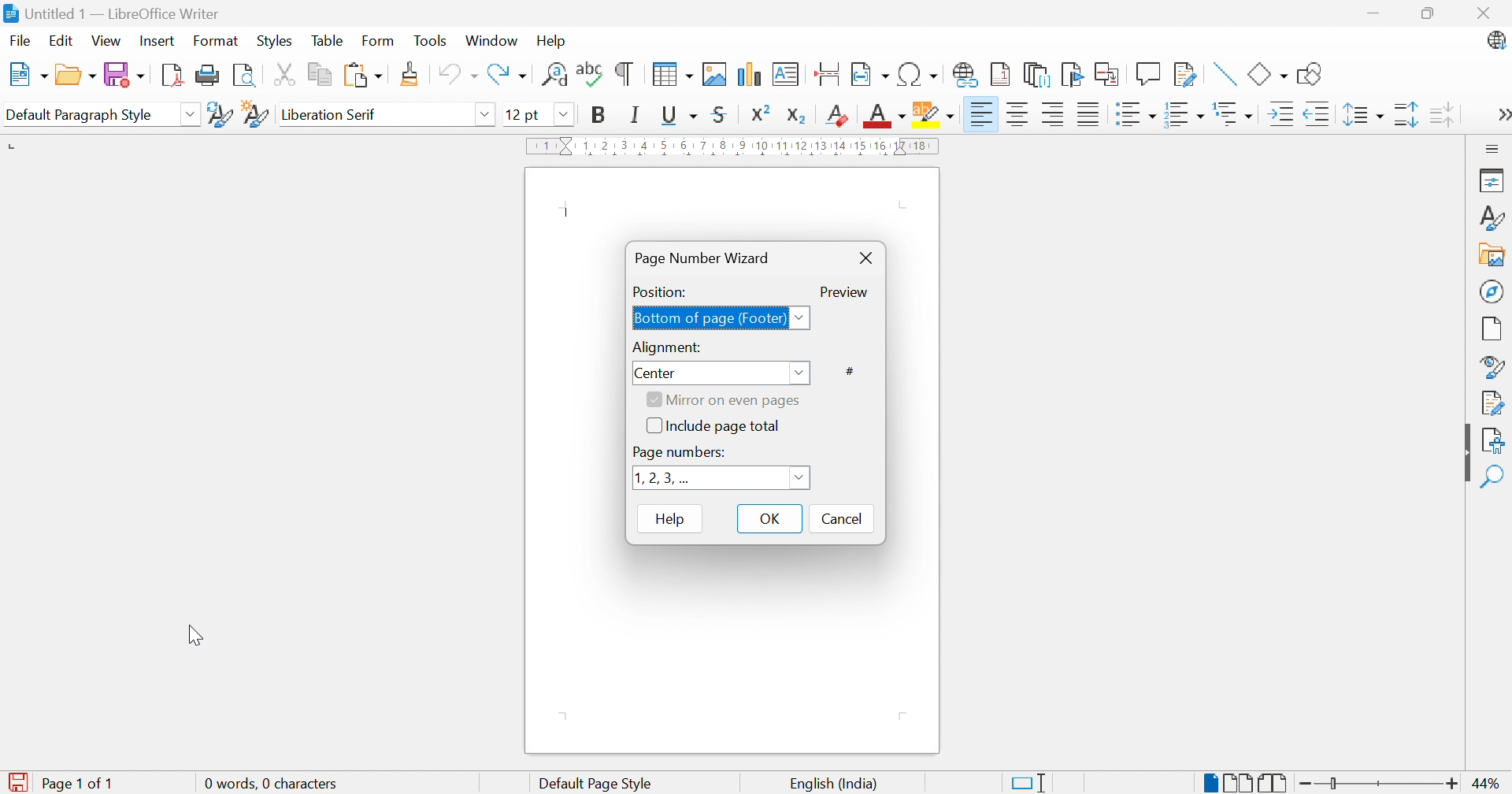  Describe the element at coordinates (1501, 115) in the screenshot. I see `More` at that location.